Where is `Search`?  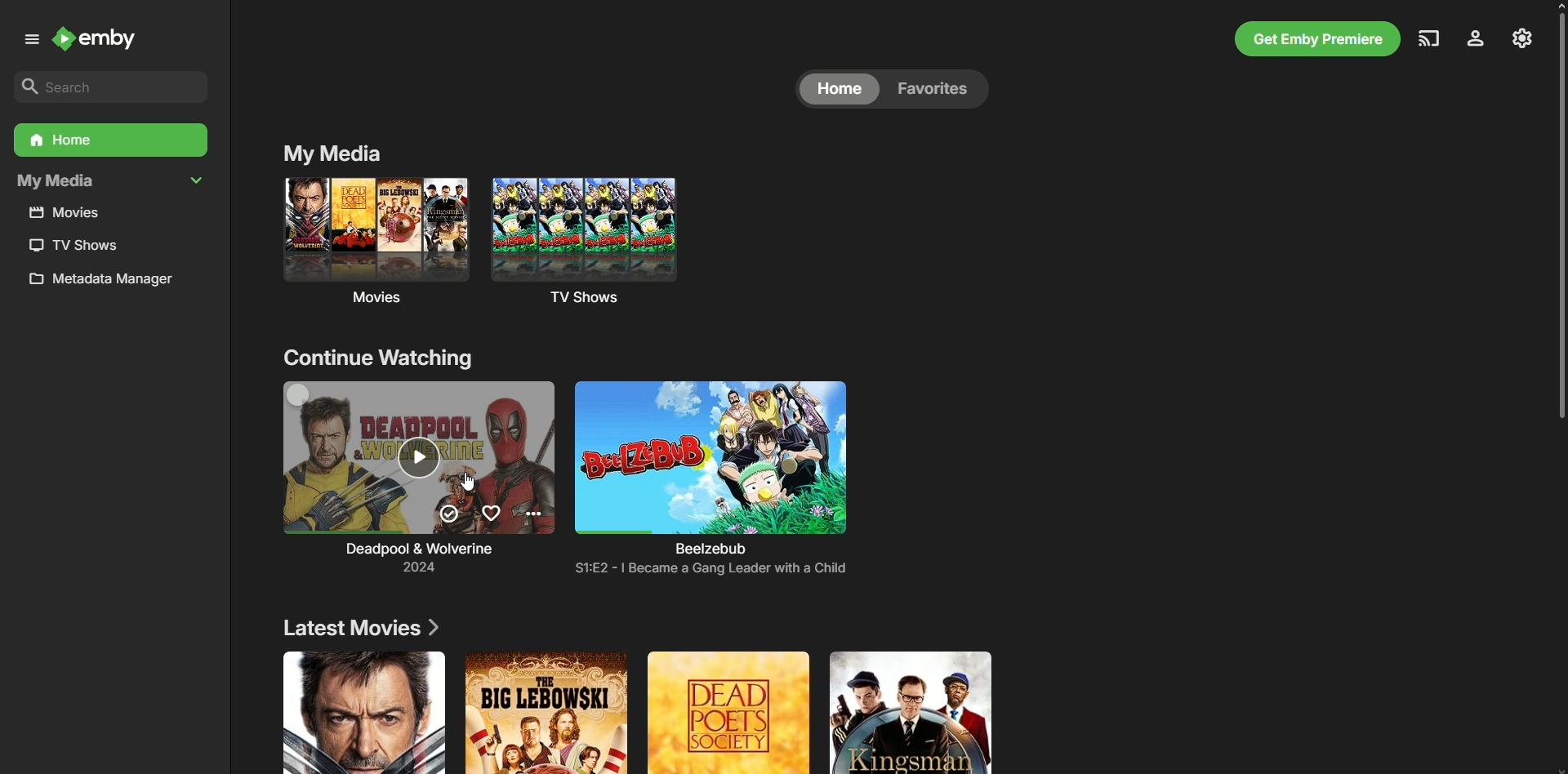
Search is located at coordinates (105, 86).